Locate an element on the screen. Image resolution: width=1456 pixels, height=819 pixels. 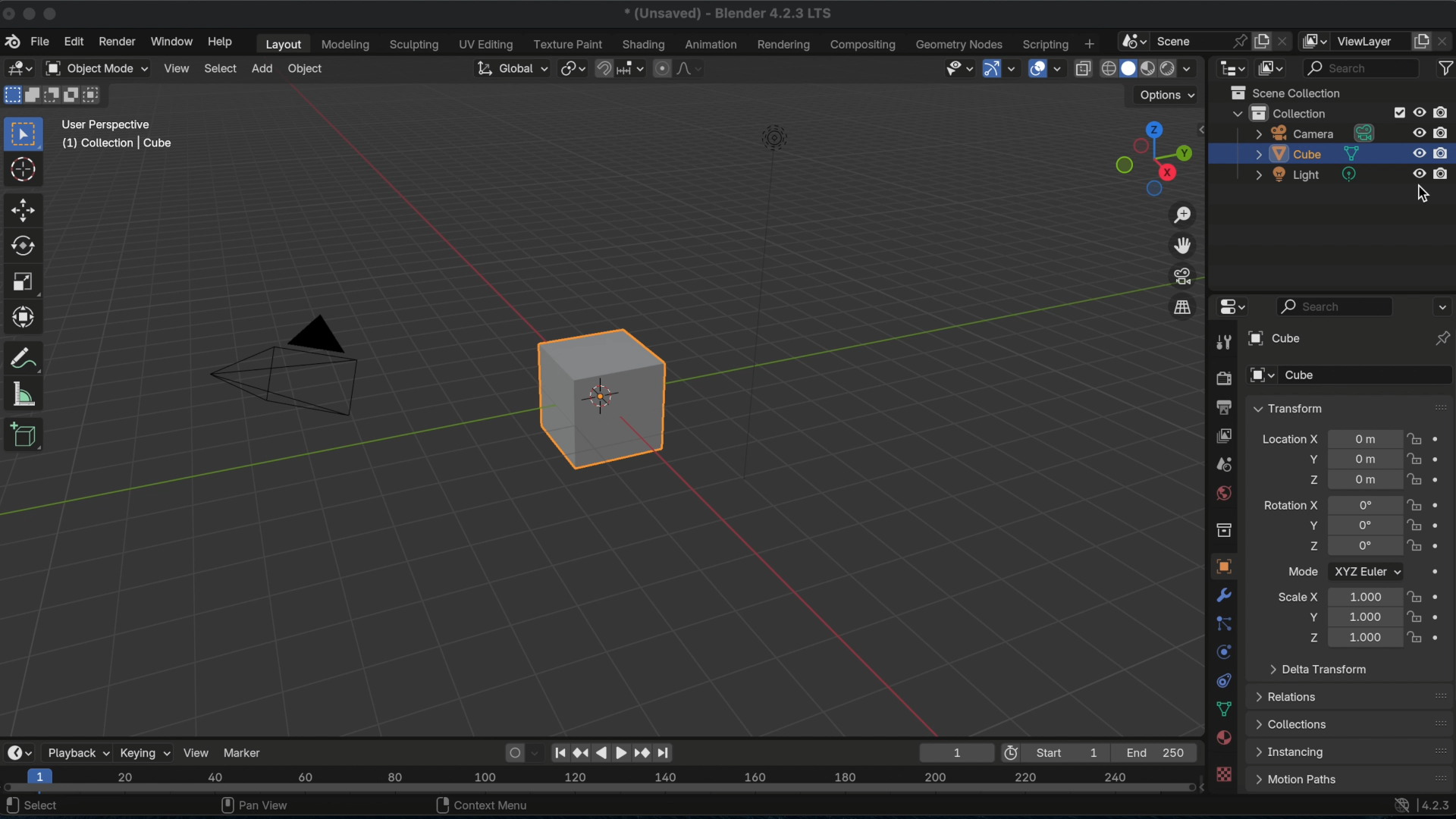
world is located at coordinates (1222, 491).